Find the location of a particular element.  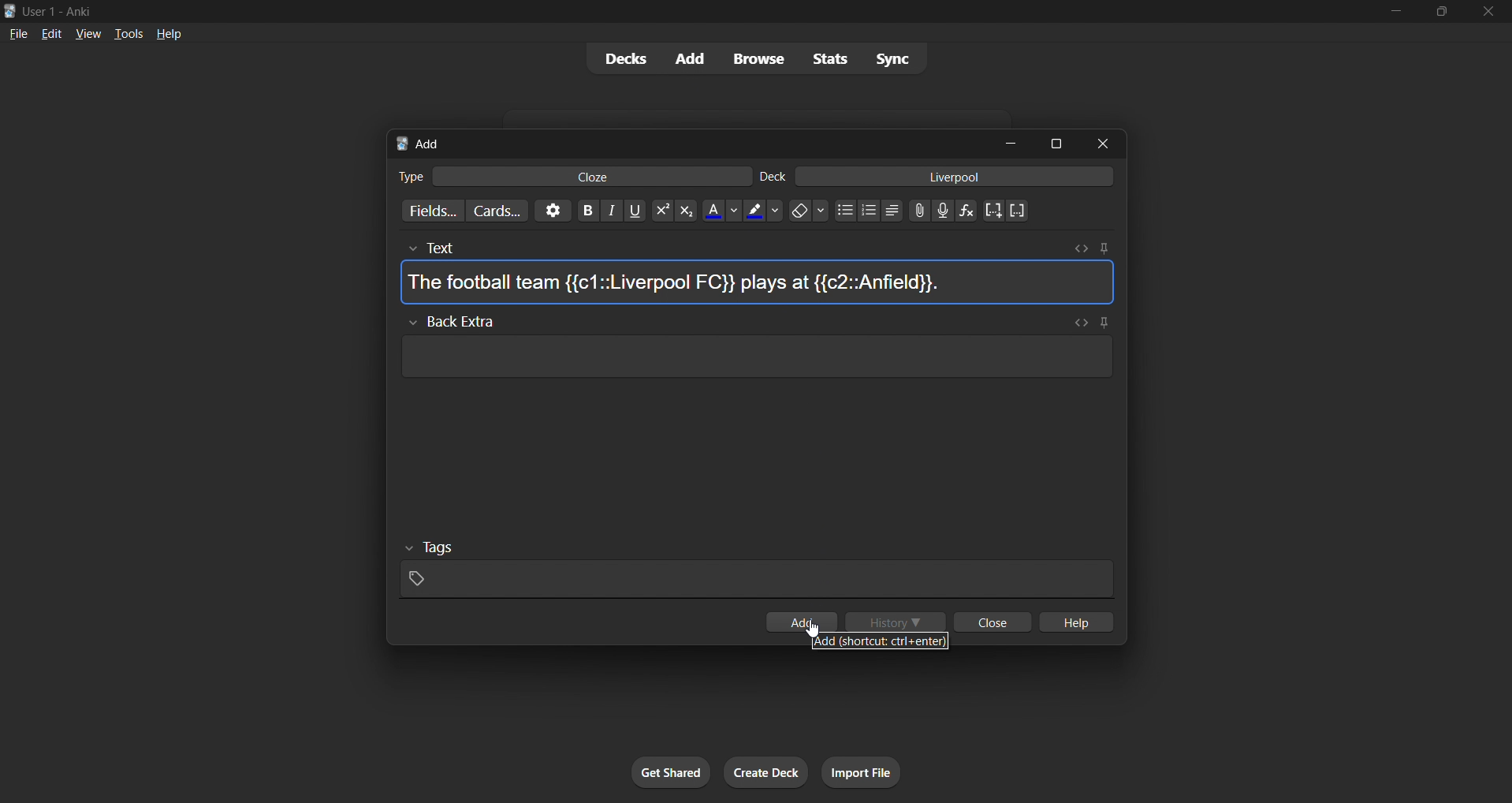

card back extra field is located at coordinates (752, 361).